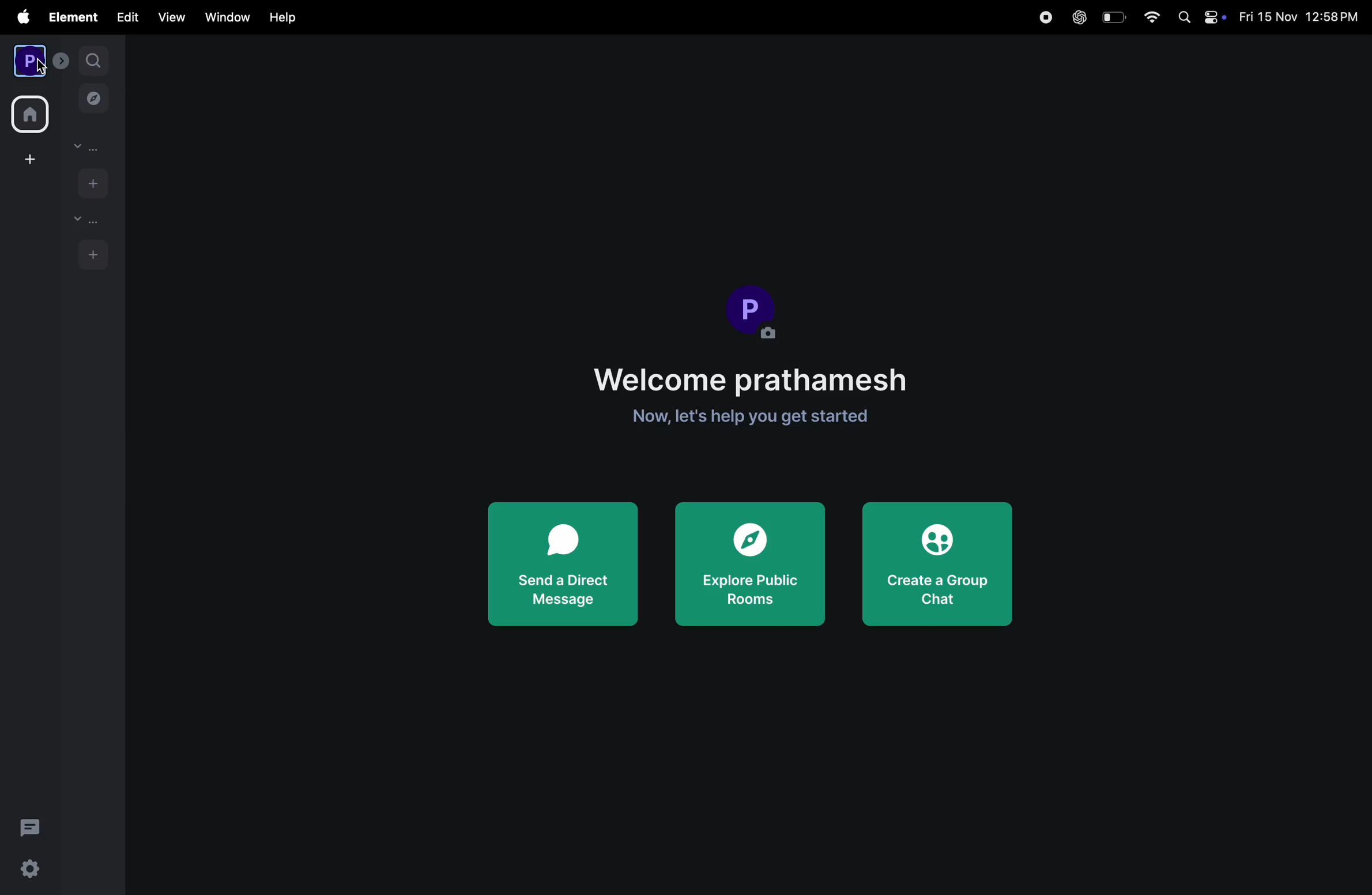  I want to click on cursor, so click(37, 73).